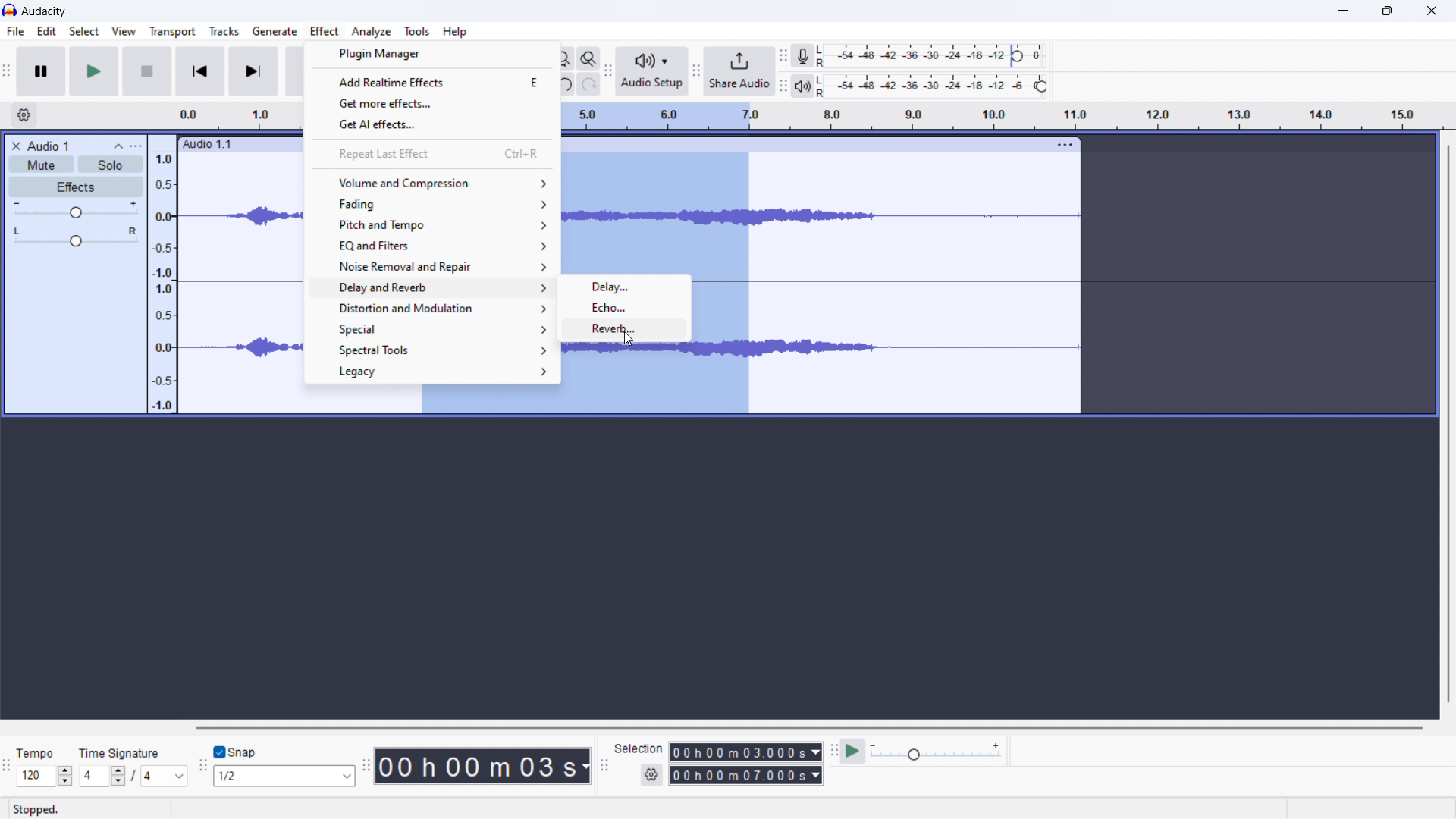  I want to click on more options, so click(141, 143).